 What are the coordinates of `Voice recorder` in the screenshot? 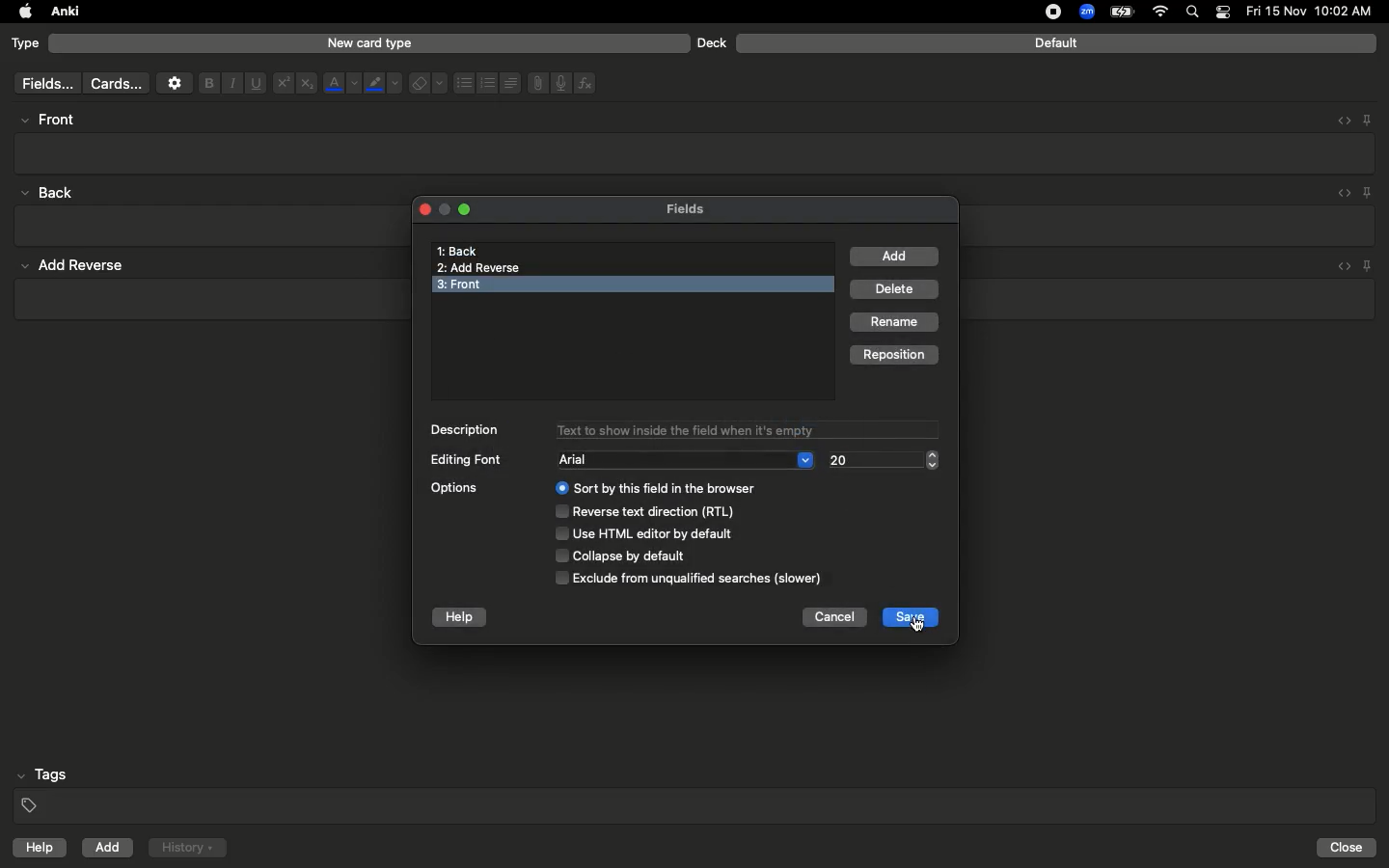 It's located at (559, 81).